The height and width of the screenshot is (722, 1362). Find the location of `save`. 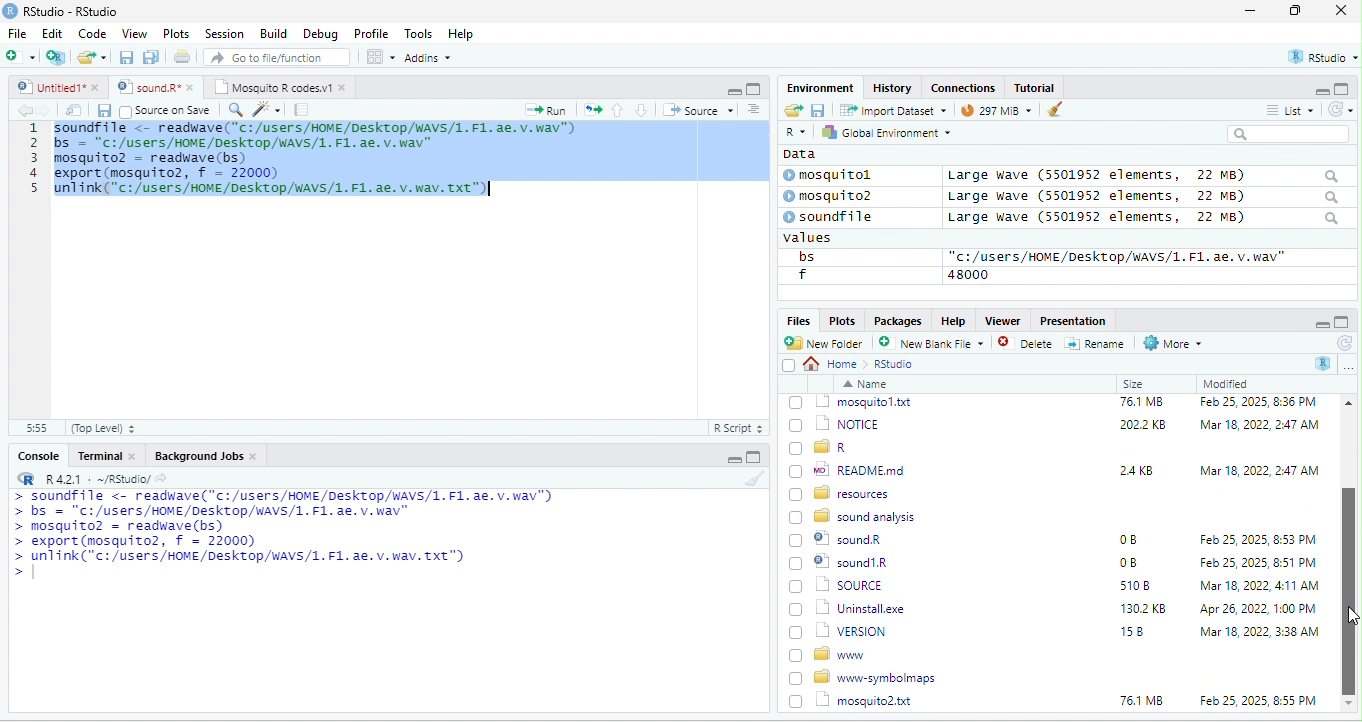

save is located at coordinates (103, 110).